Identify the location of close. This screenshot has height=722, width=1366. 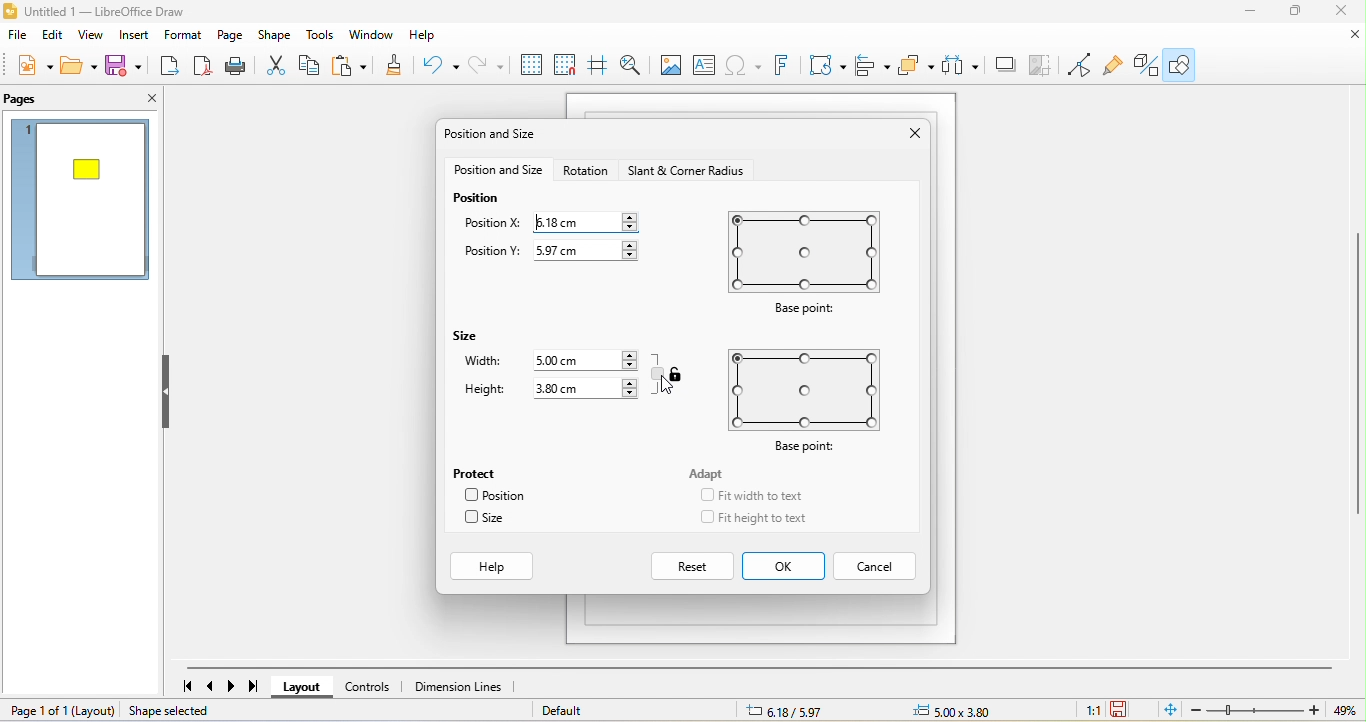
(911, 134).